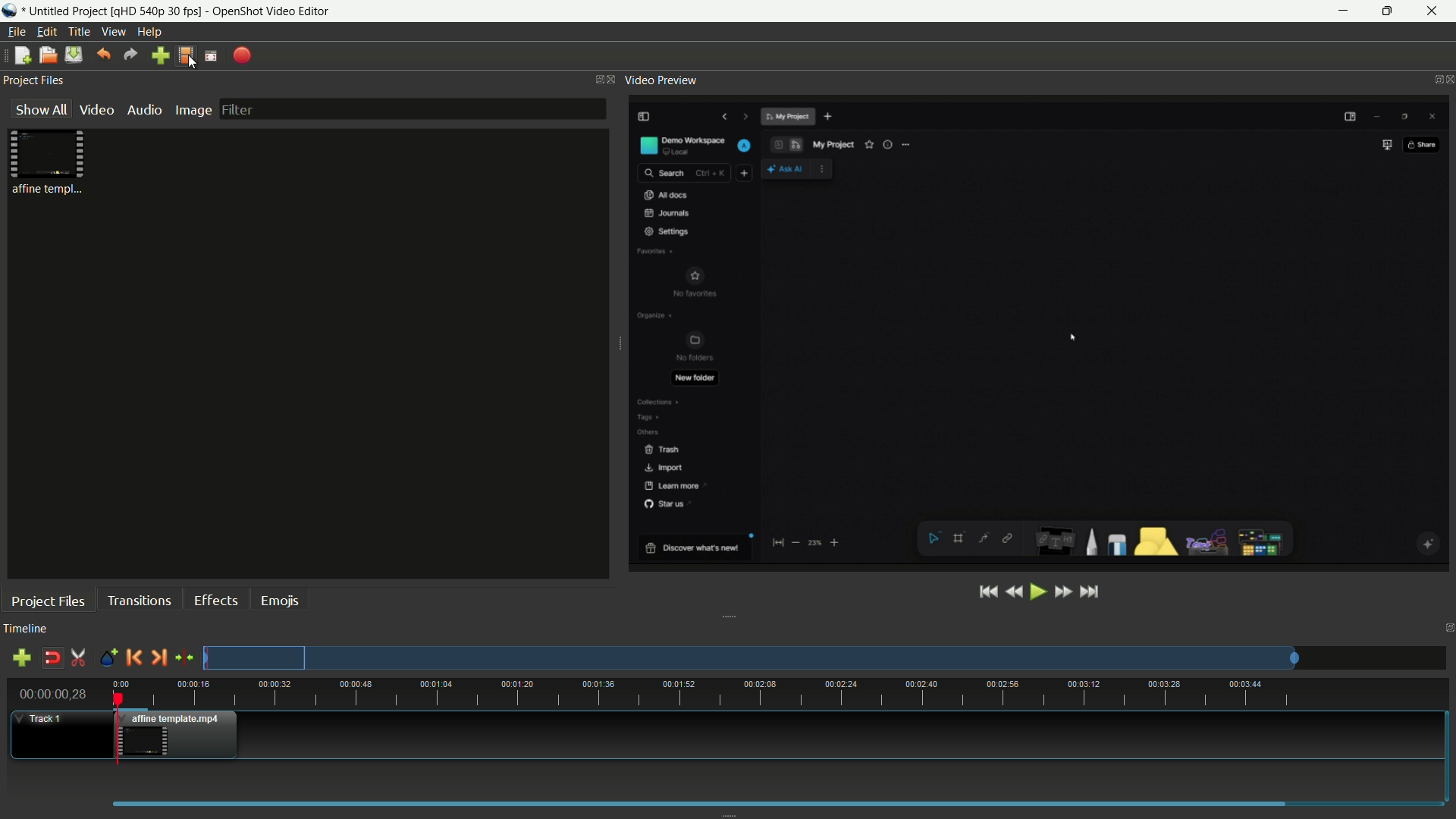  What do you see at coordinates (73, 55) in the screenshot?
I see `save file` at bounding box center [73, 55].